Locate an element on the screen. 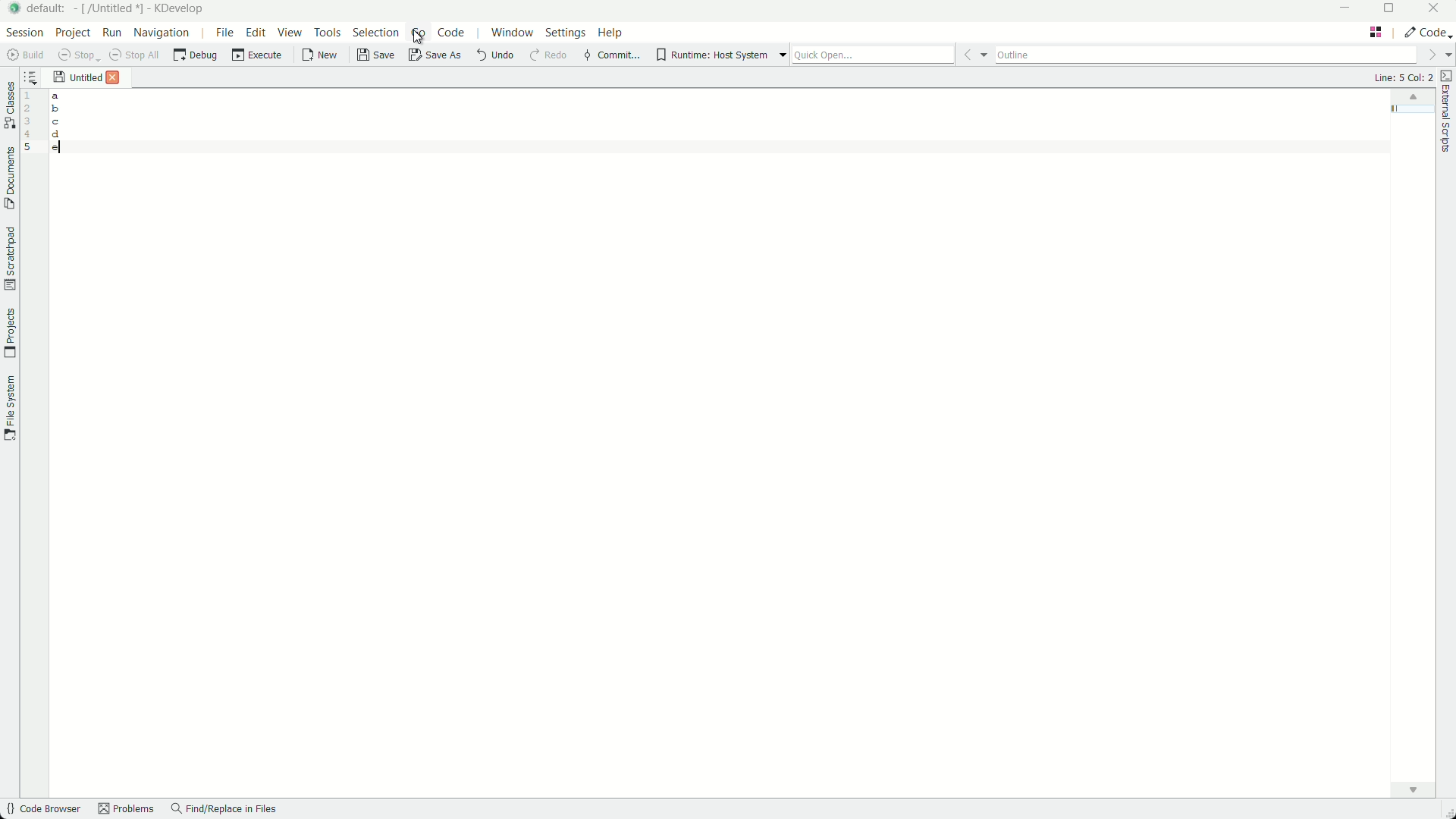  sort the opened documents is located at coordinates (30, 77).